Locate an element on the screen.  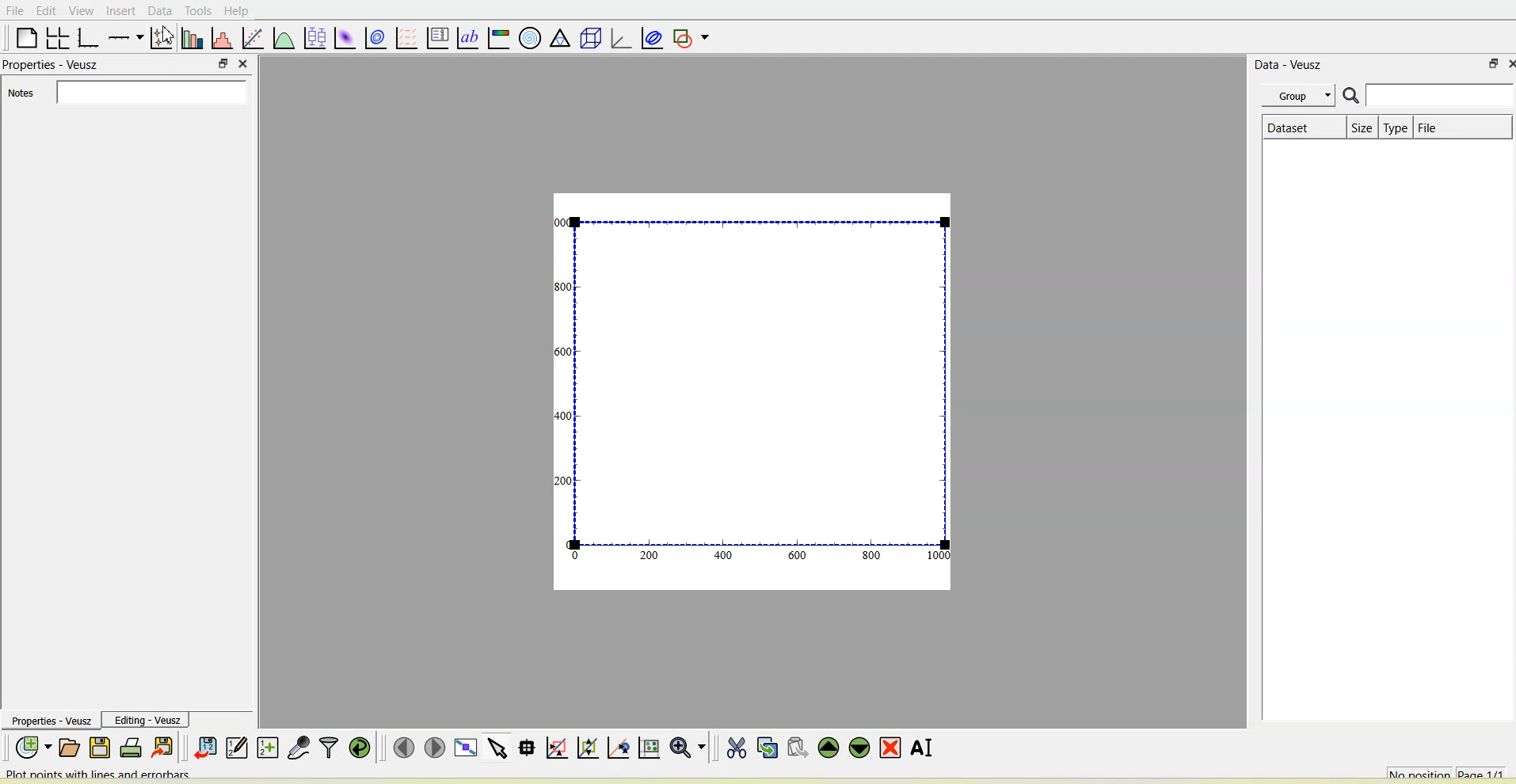
Properties - Veusz is located at coordinates (48, 720).